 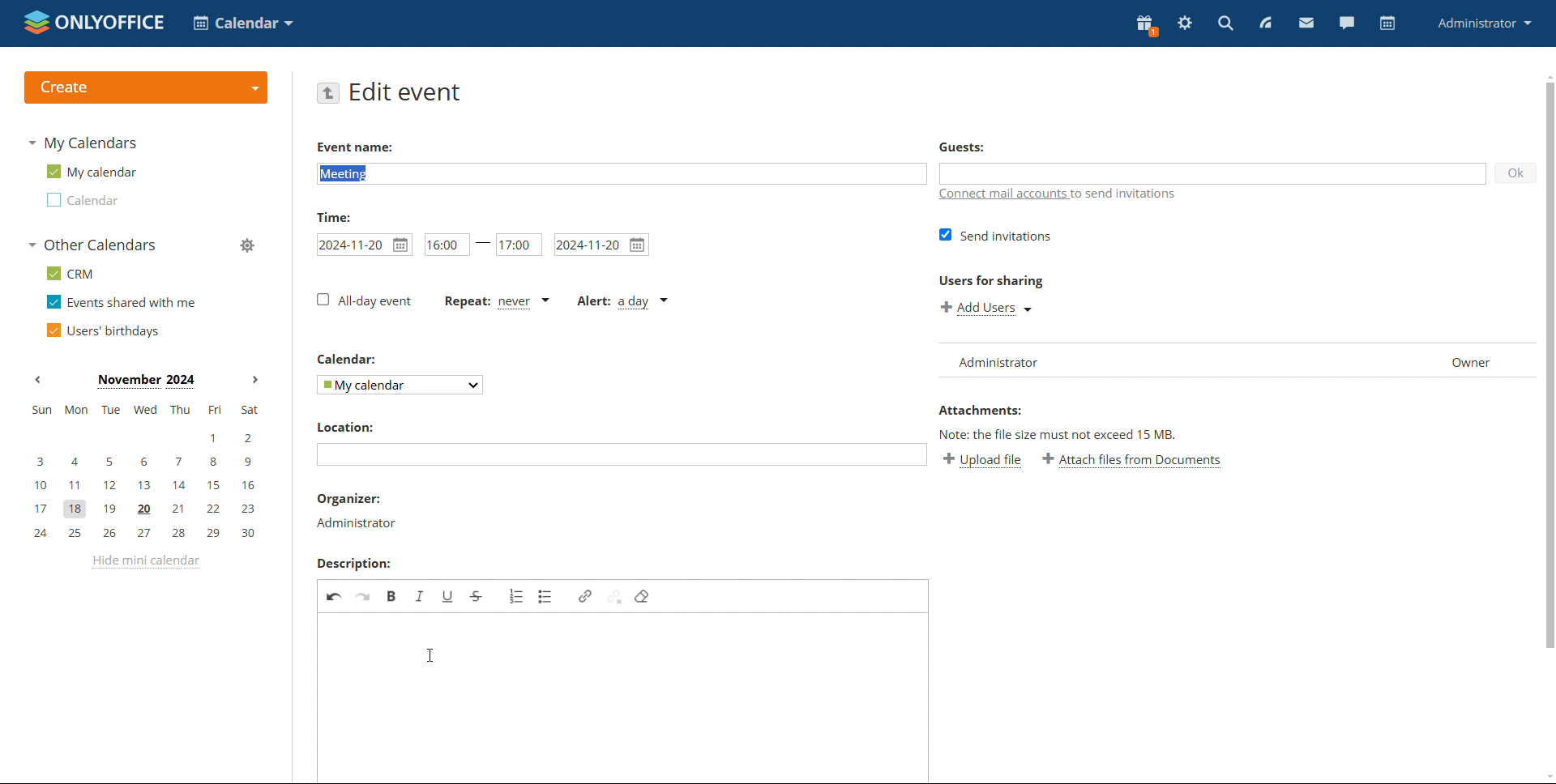 I want to click on scrollbar, so click(x=1549, y=365).